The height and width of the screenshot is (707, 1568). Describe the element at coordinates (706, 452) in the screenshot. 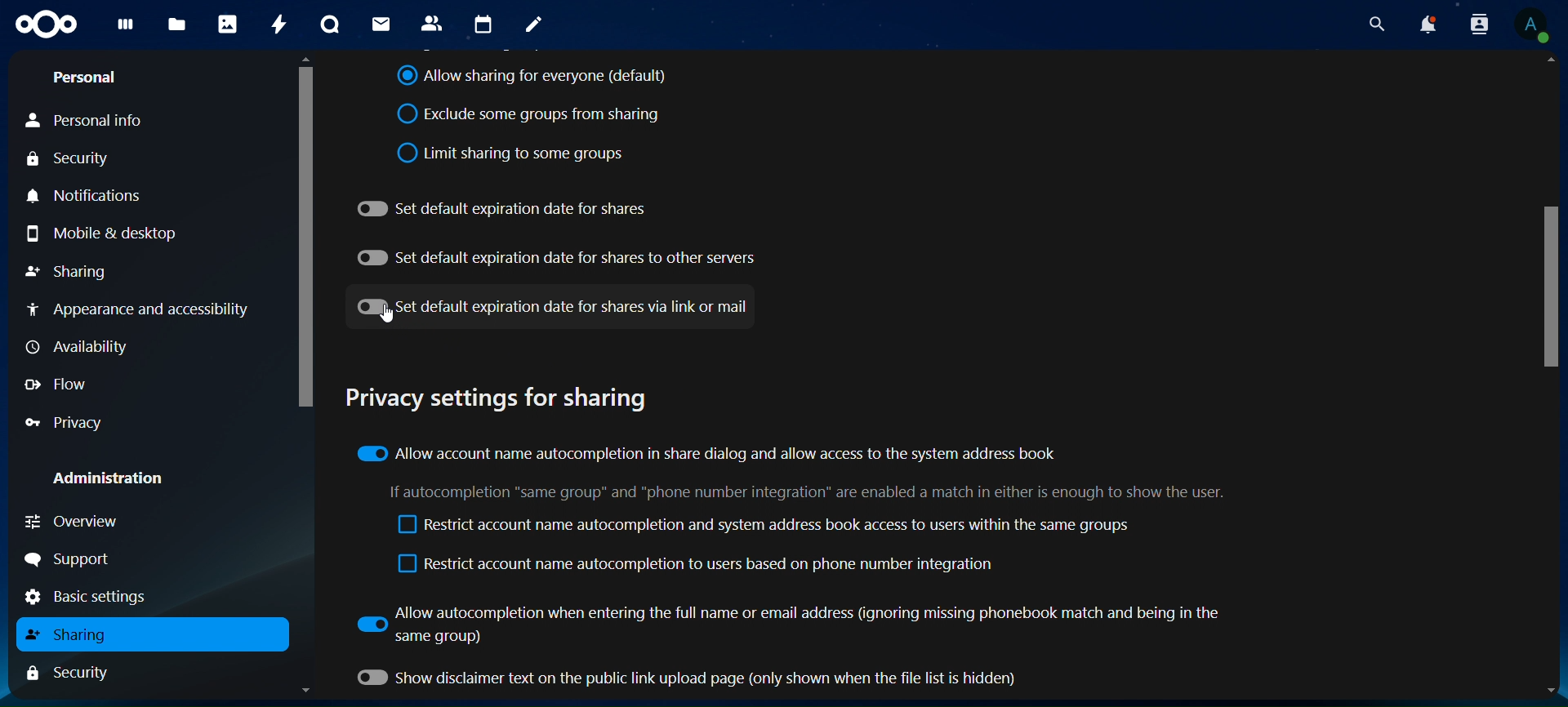

I see `allow account name autocompletion in share dialog and allow acess to the system address book` at that location.